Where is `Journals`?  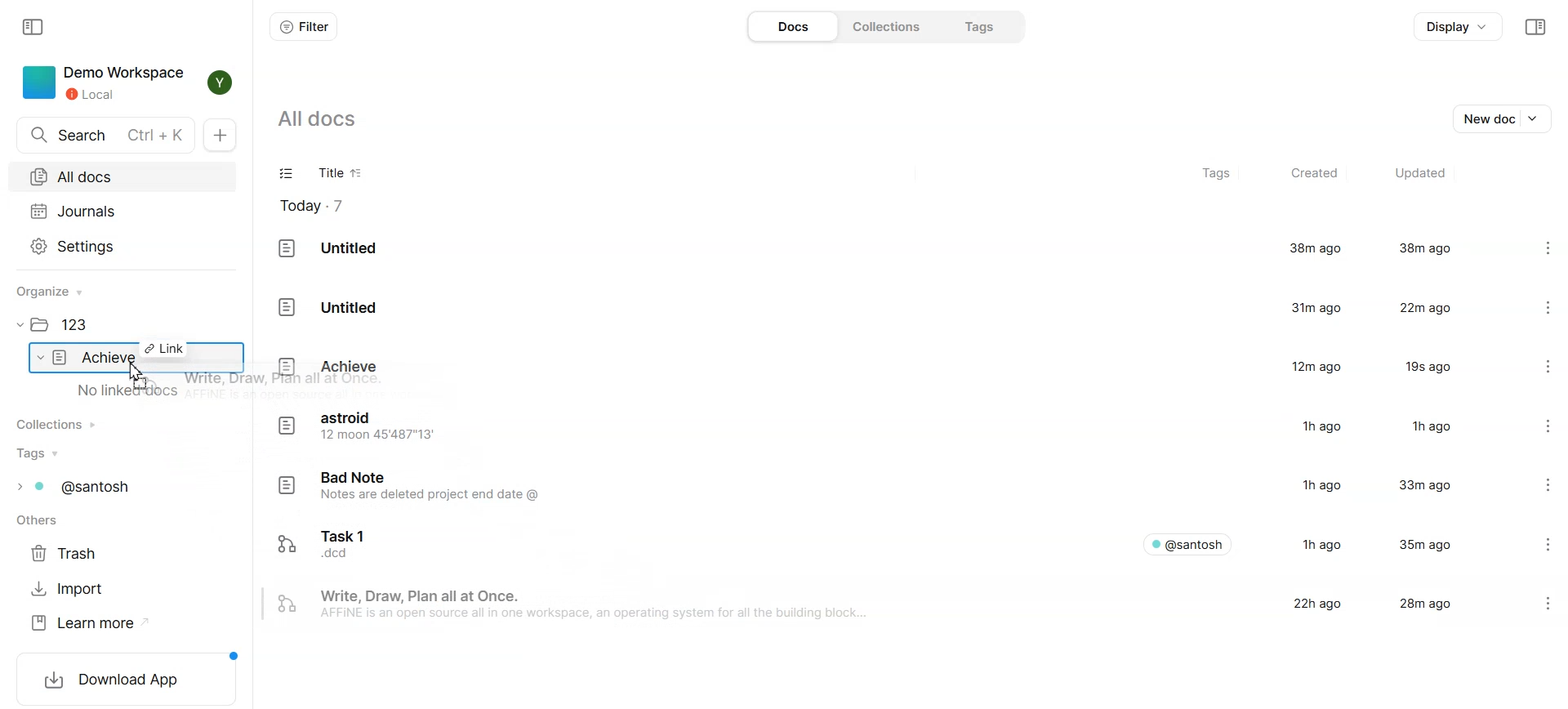
Journals is located at coordinates (122, 211).